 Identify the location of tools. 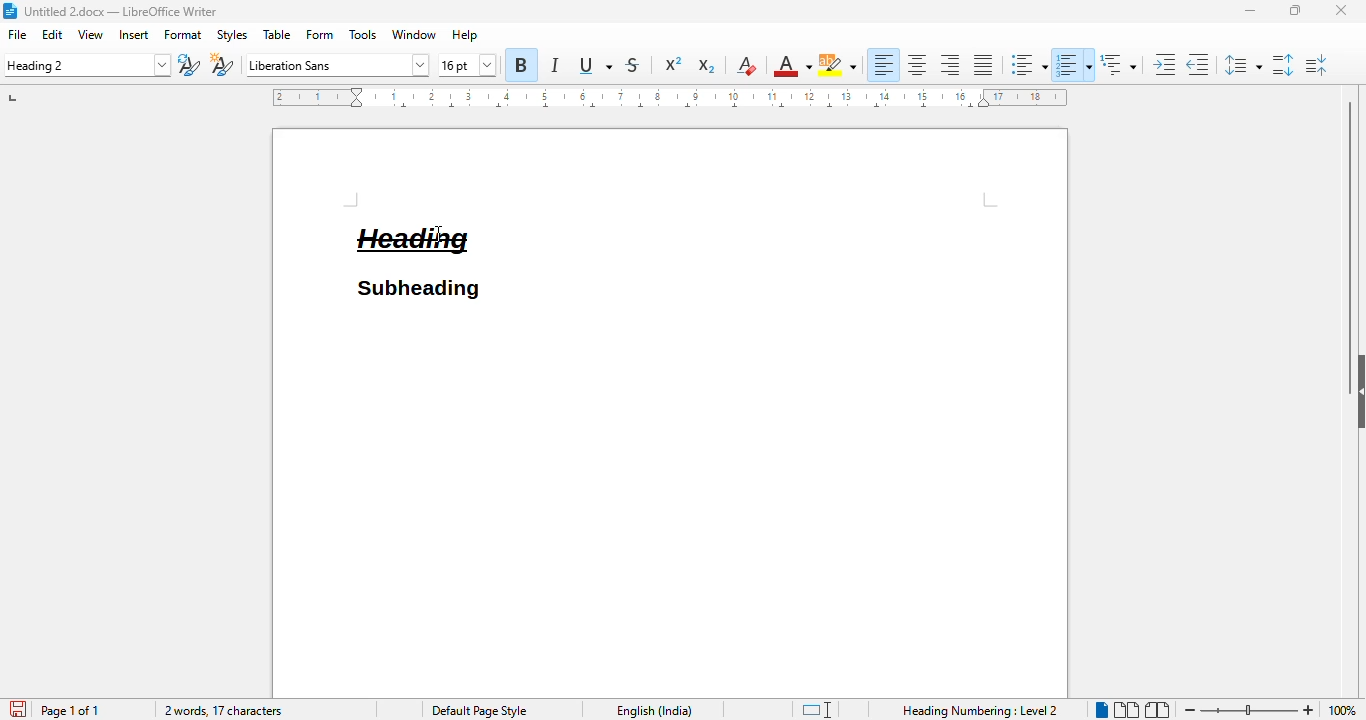
(364, 34).